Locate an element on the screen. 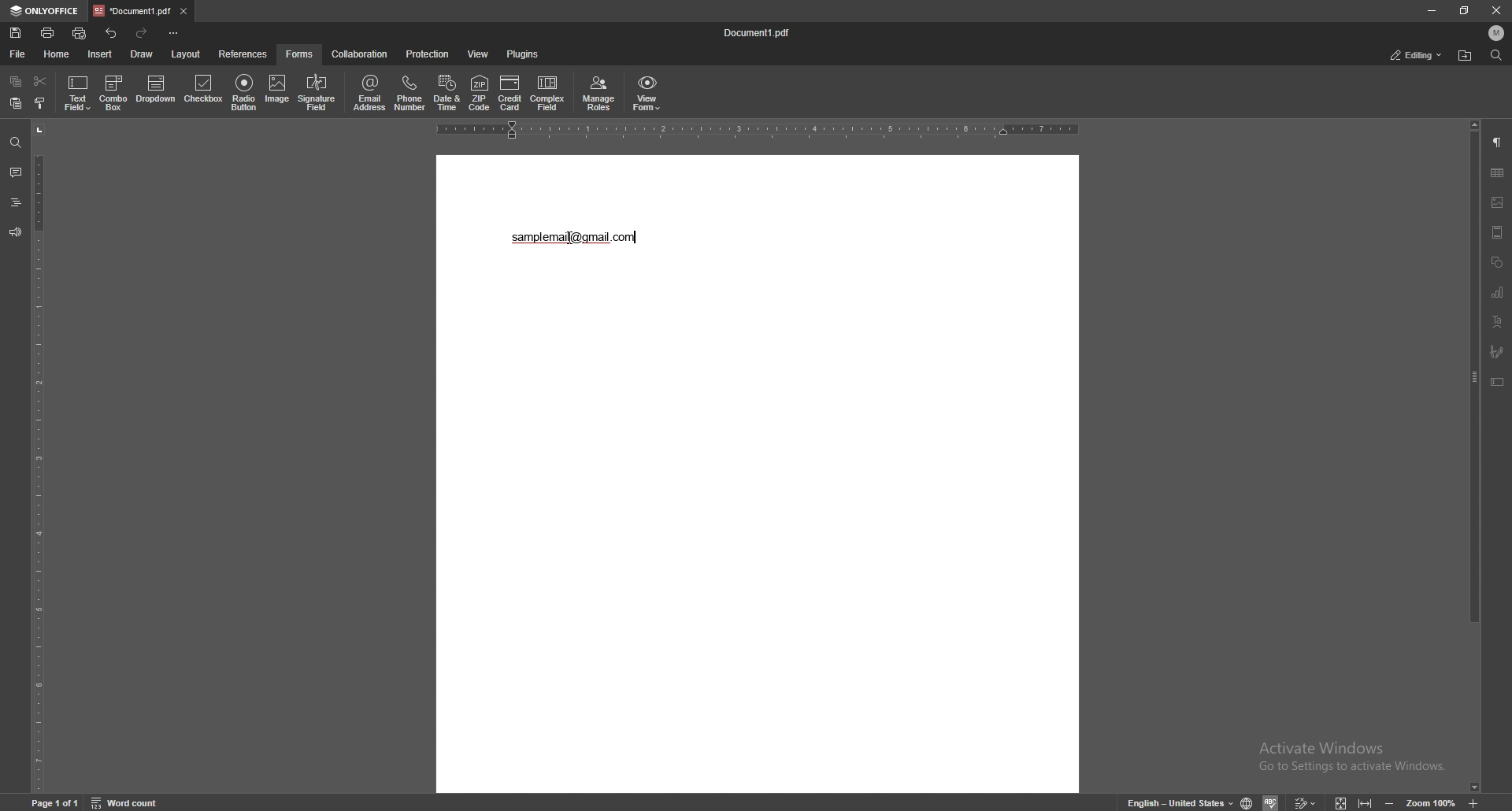 This screenshot has width=1512, height=811. customize toolbar is located at coordinates (174, 34).